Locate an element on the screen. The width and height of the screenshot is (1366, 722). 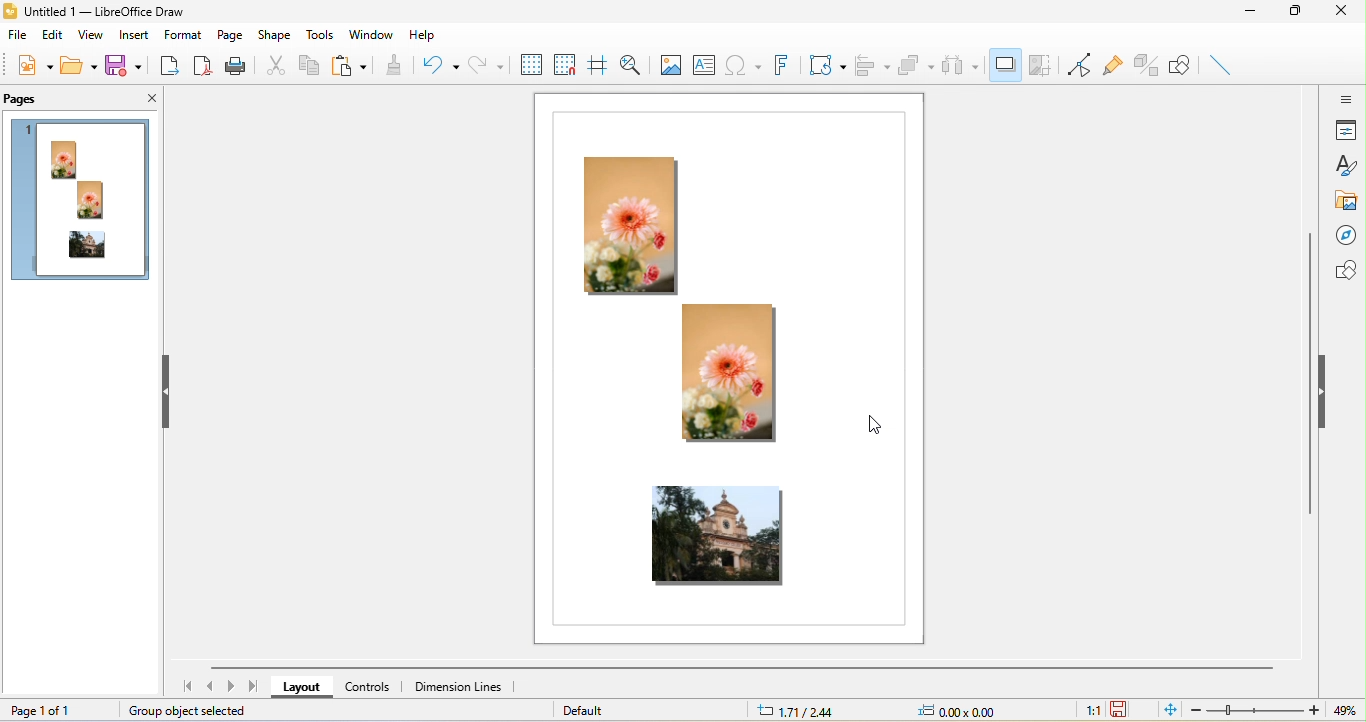
0.00x0.00 is located at coordinates (958, 710).